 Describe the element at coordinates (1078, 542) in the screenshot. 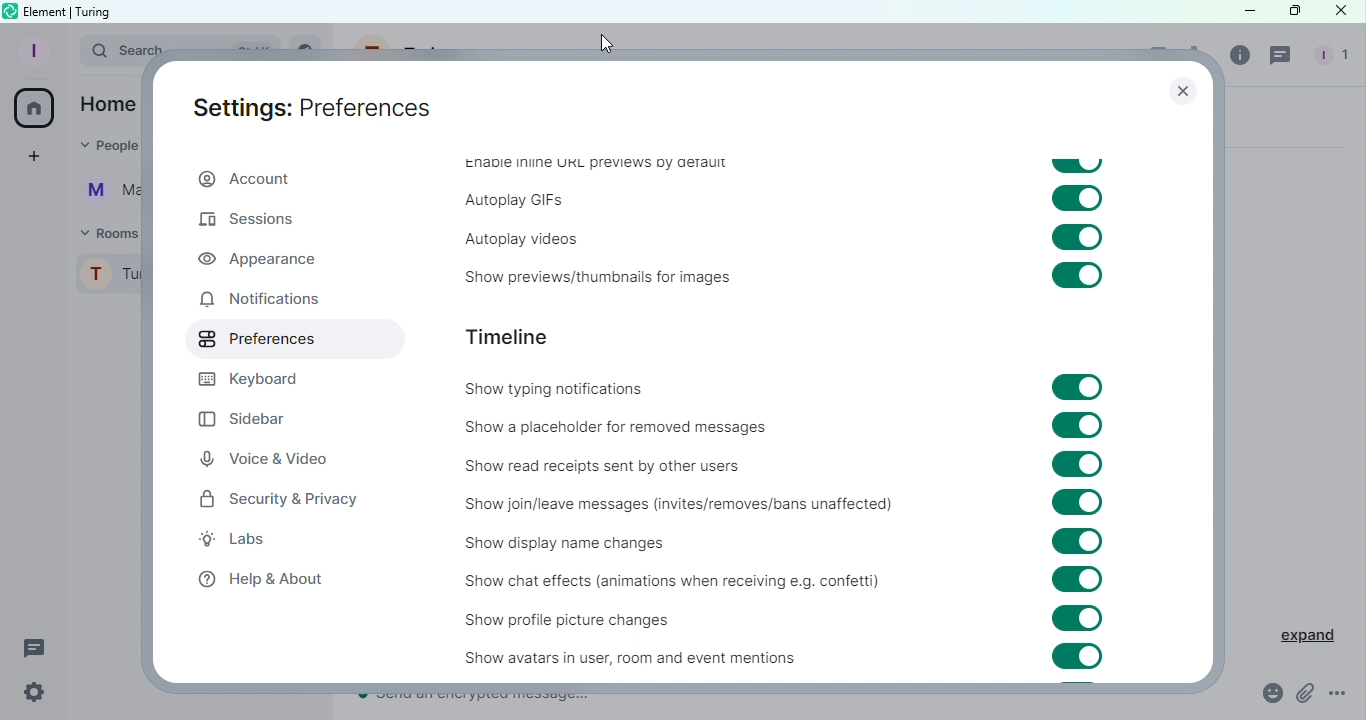

I see `Toggle` at that location.